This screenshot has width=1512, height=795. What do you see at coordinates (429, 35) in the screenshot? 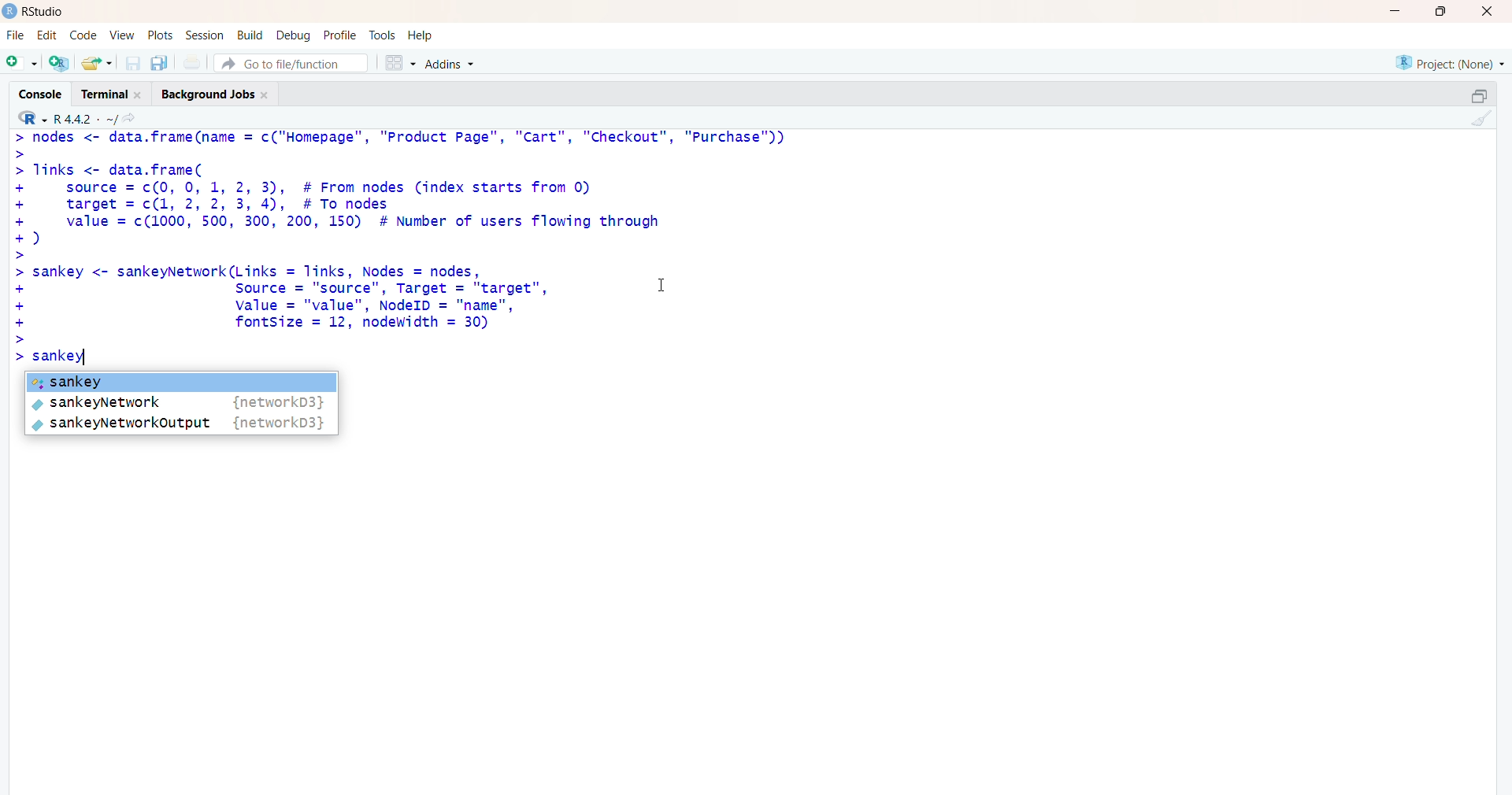
I see `help` at bounding box center [429, 35].